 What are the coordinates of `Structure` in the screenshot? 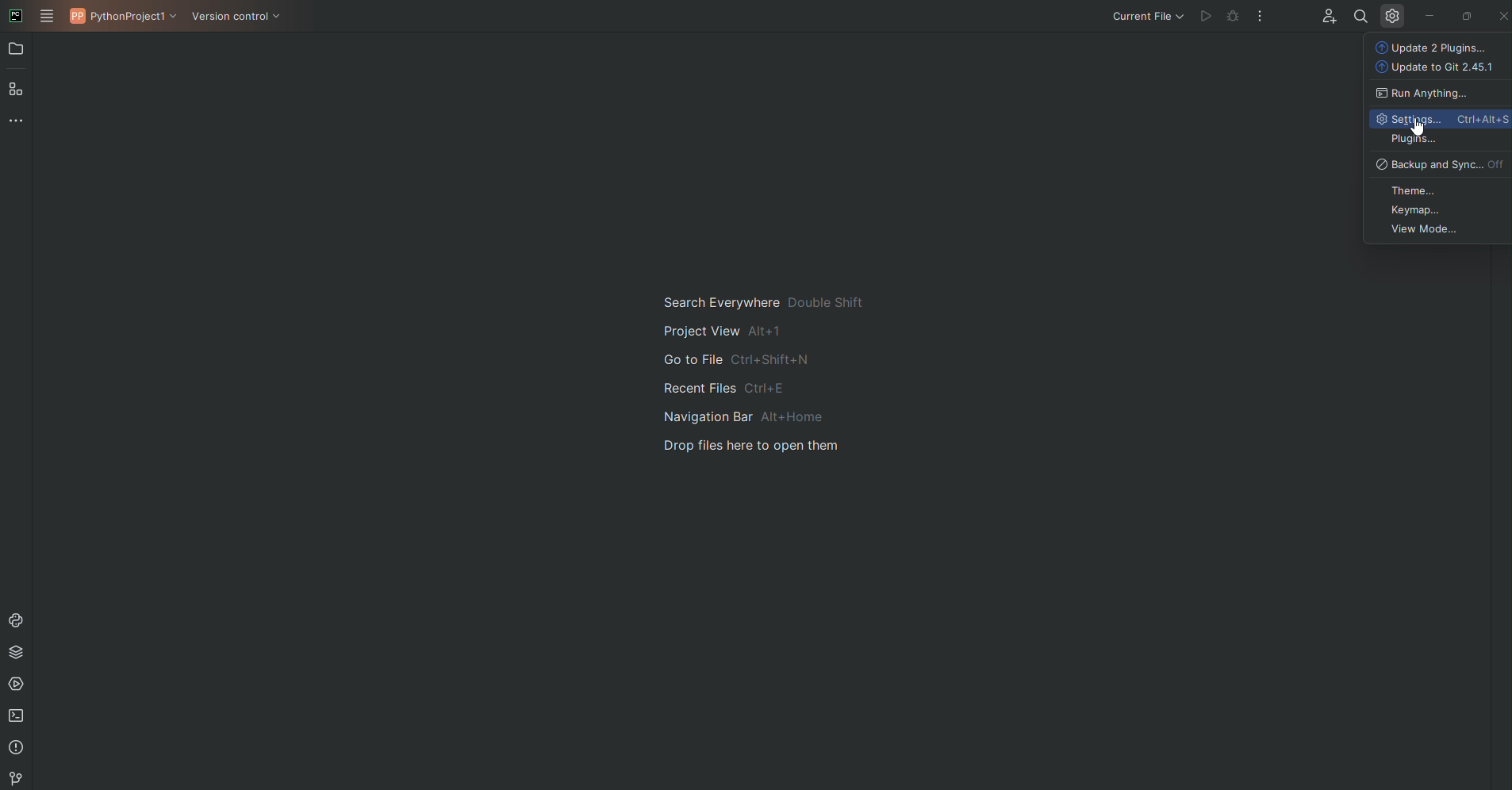 It's located at (18, 90).